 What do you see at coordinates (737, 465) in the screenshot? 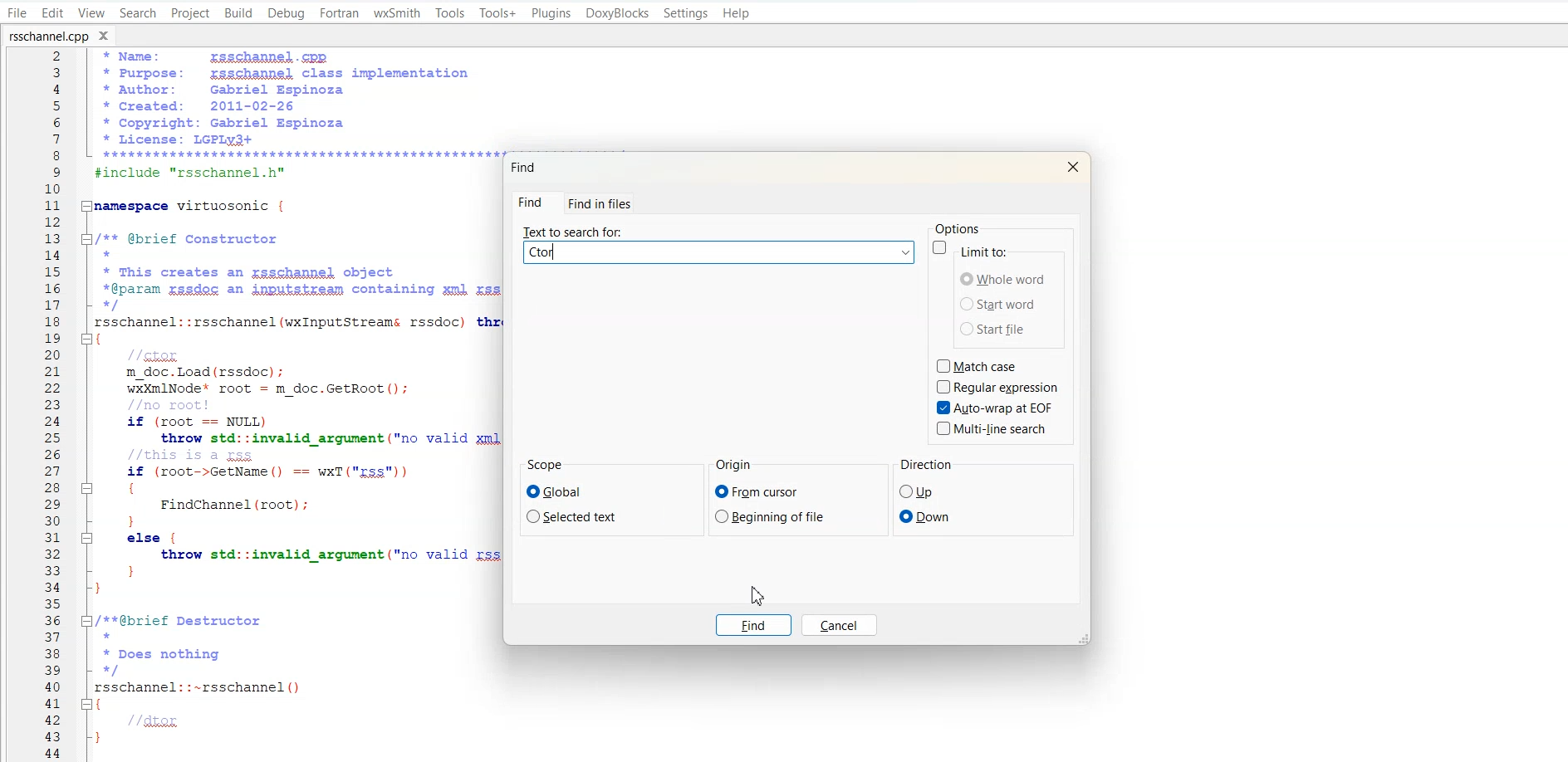
I see `Origin` at bounding box center [737, 465].